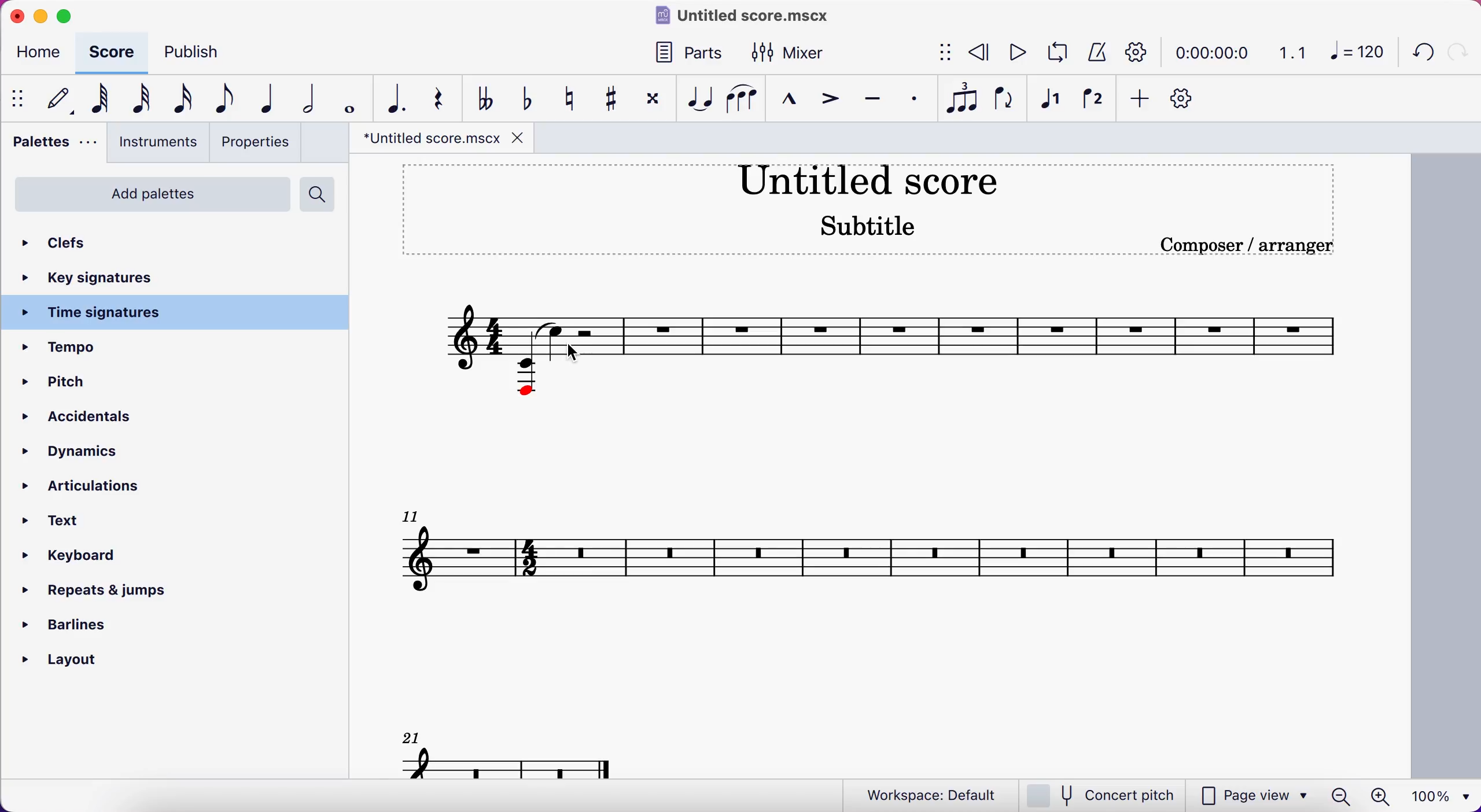 The height and width of the screenshot is (812, 1481). I want to click on 8th note, so click(231, 98).